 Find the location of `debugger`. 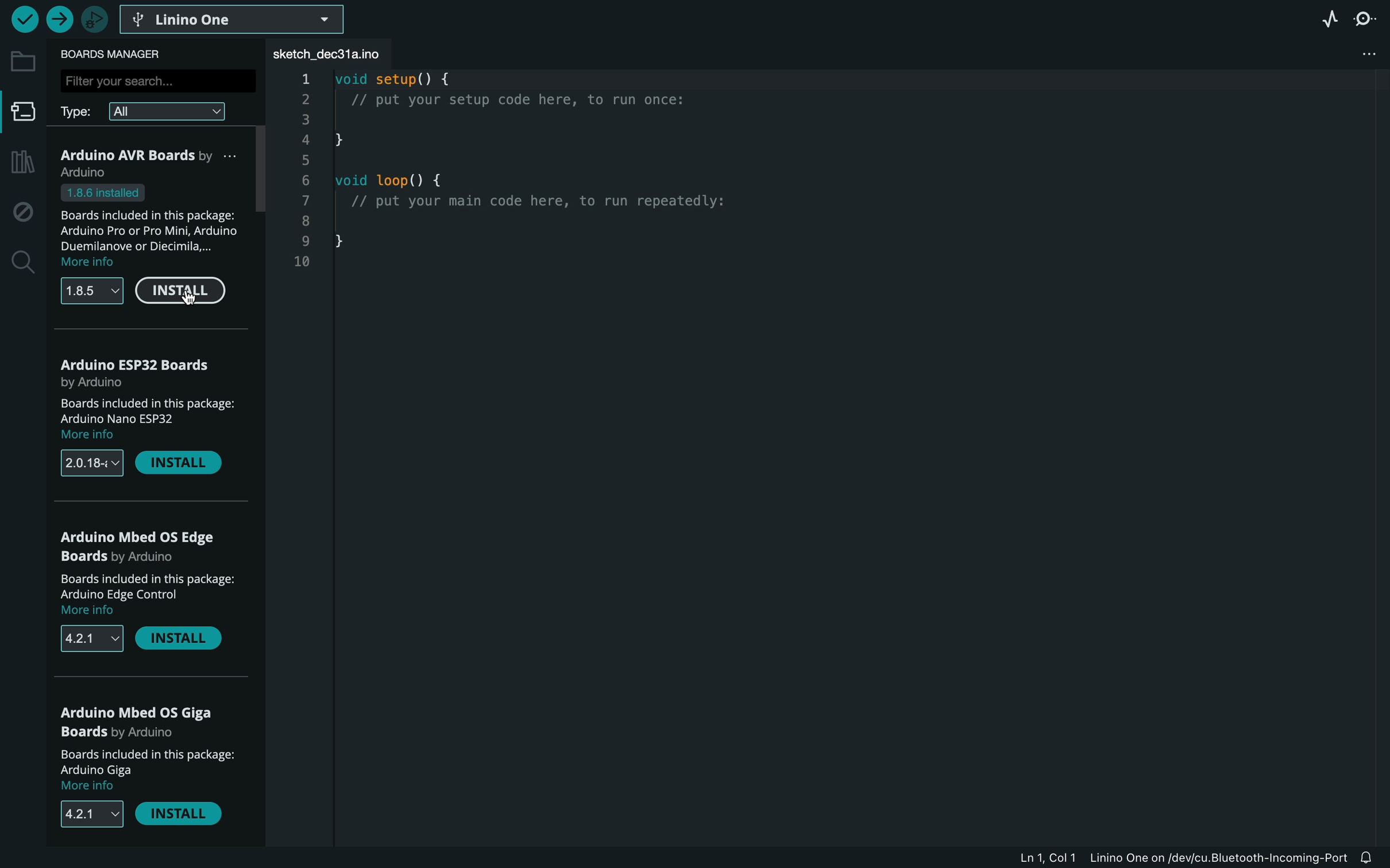

debugger is located at coordinates (94, 19).